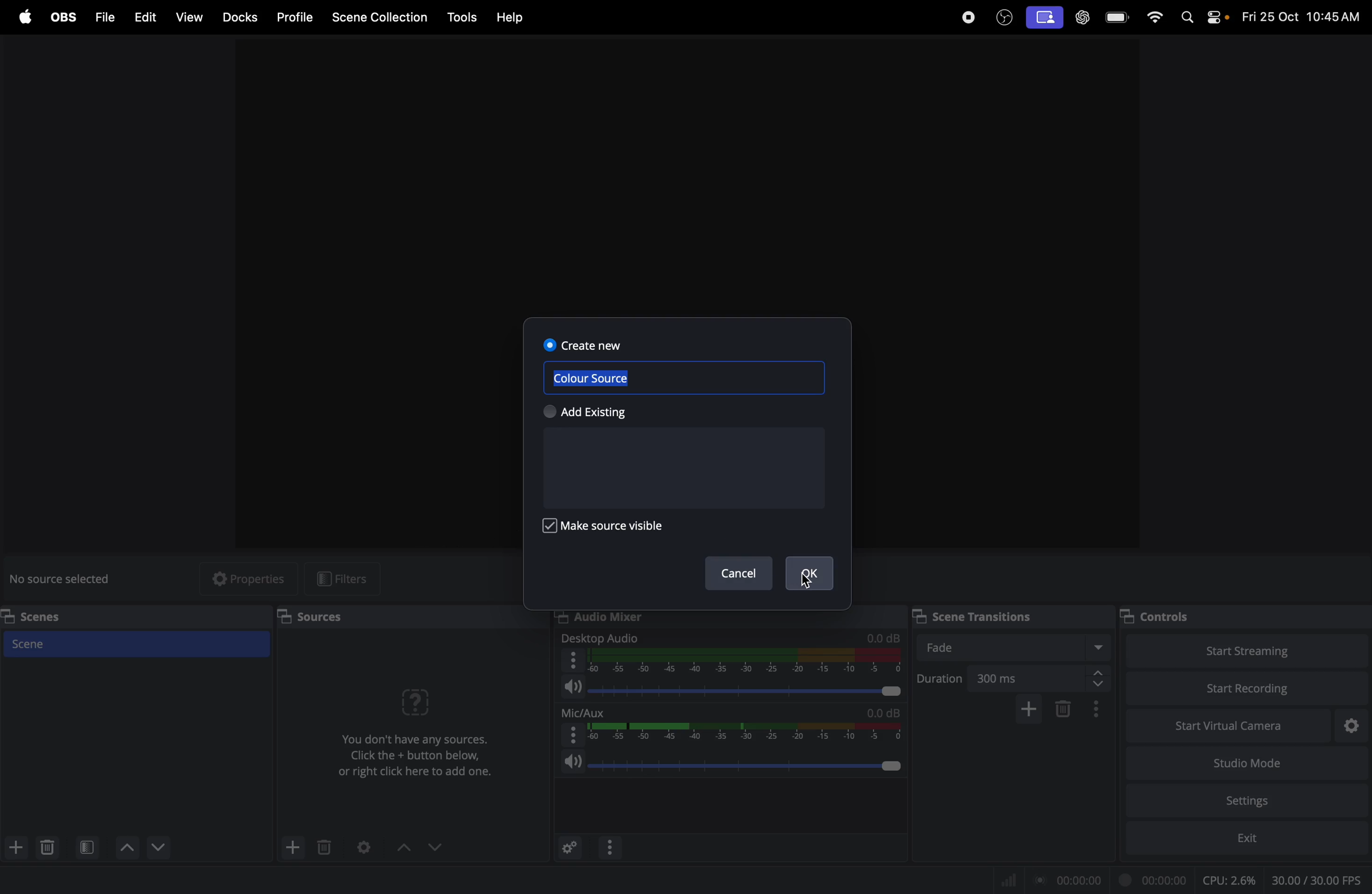  Describe the element at coordinates (1012, 880) in the screenshot. I see `Signal` at that location.